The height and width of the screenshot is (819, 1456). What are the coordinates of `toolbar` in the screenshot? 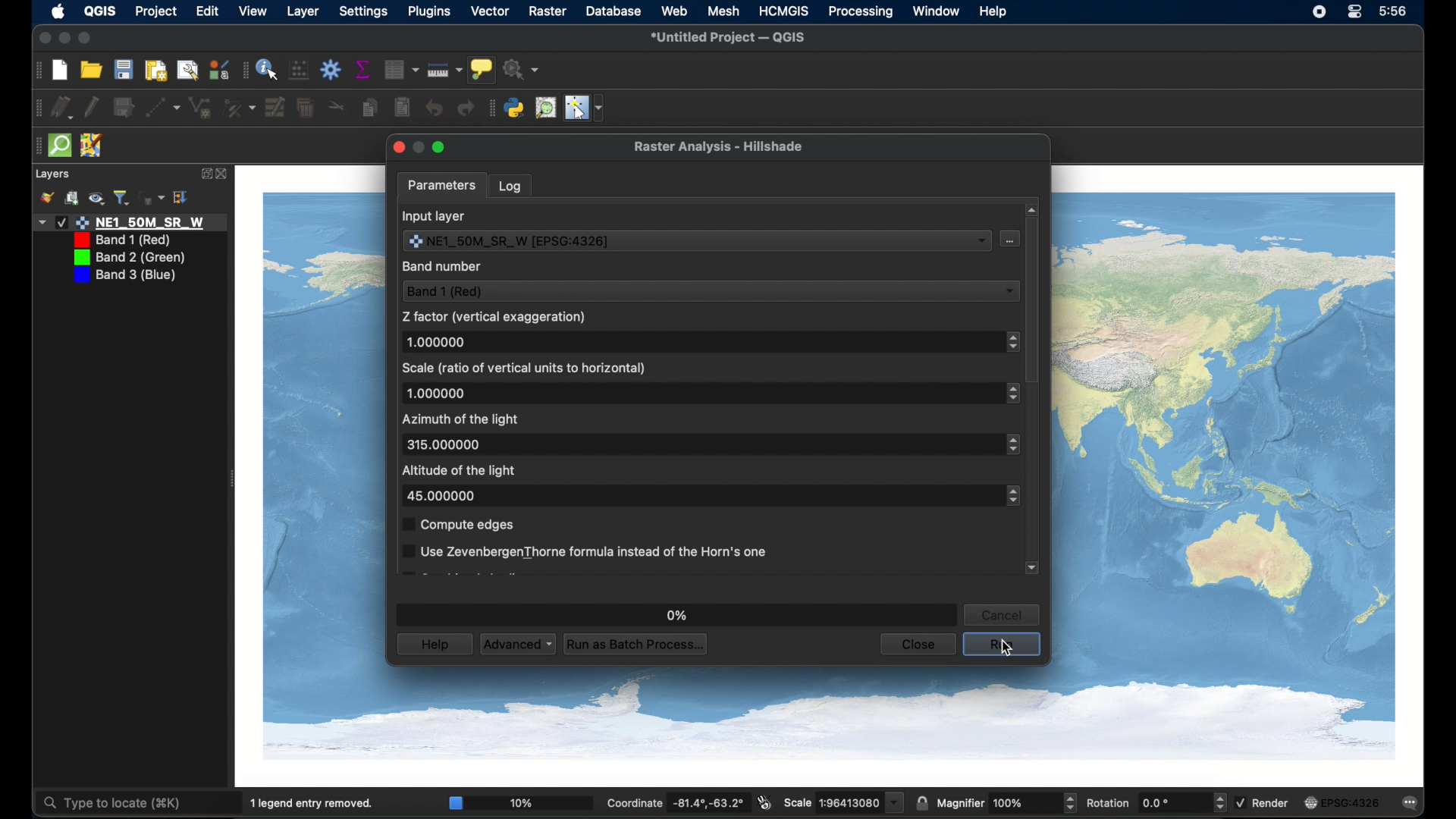 It's located at (331, 71).